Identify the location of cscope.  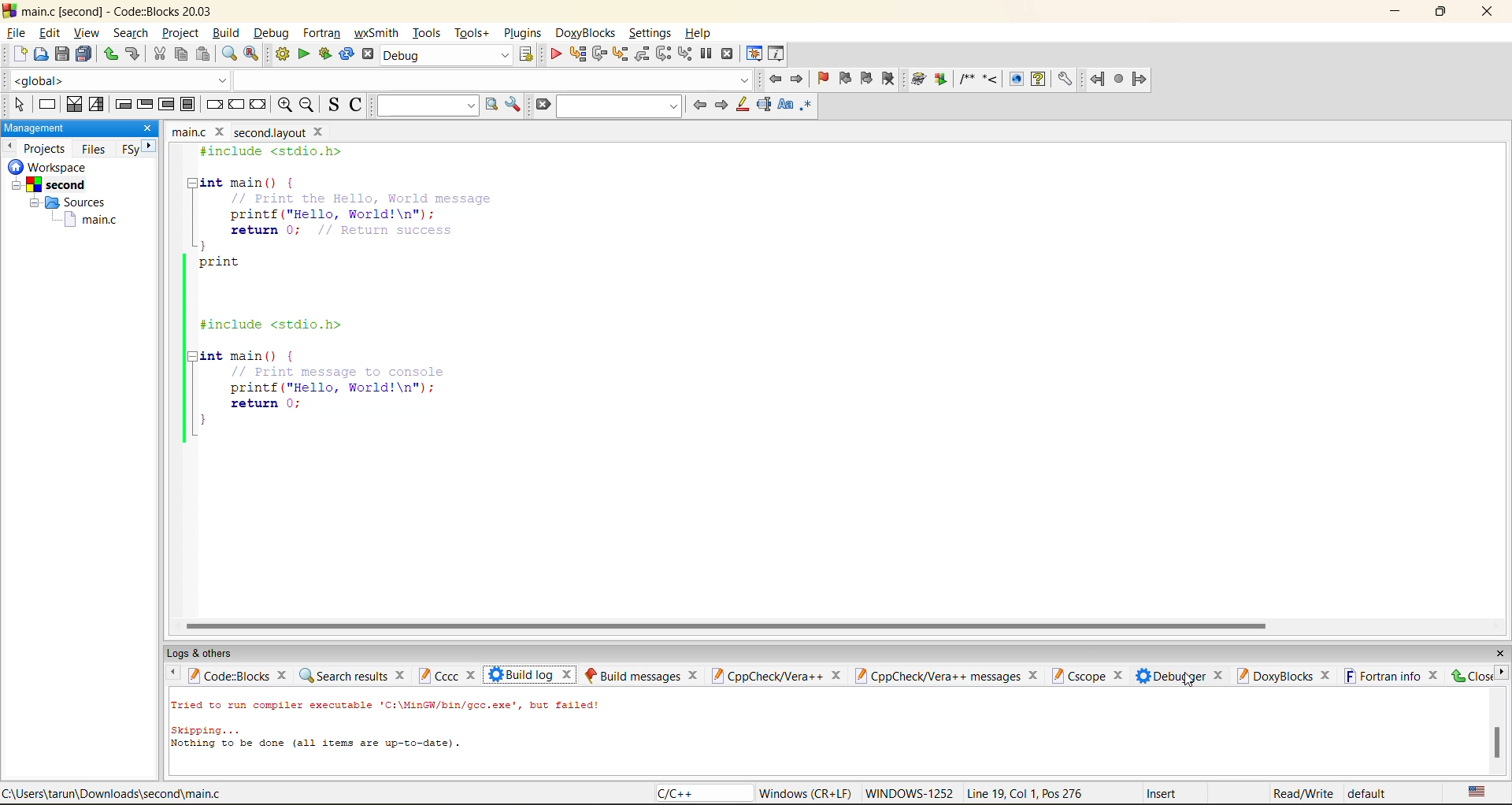
(1091, 675).